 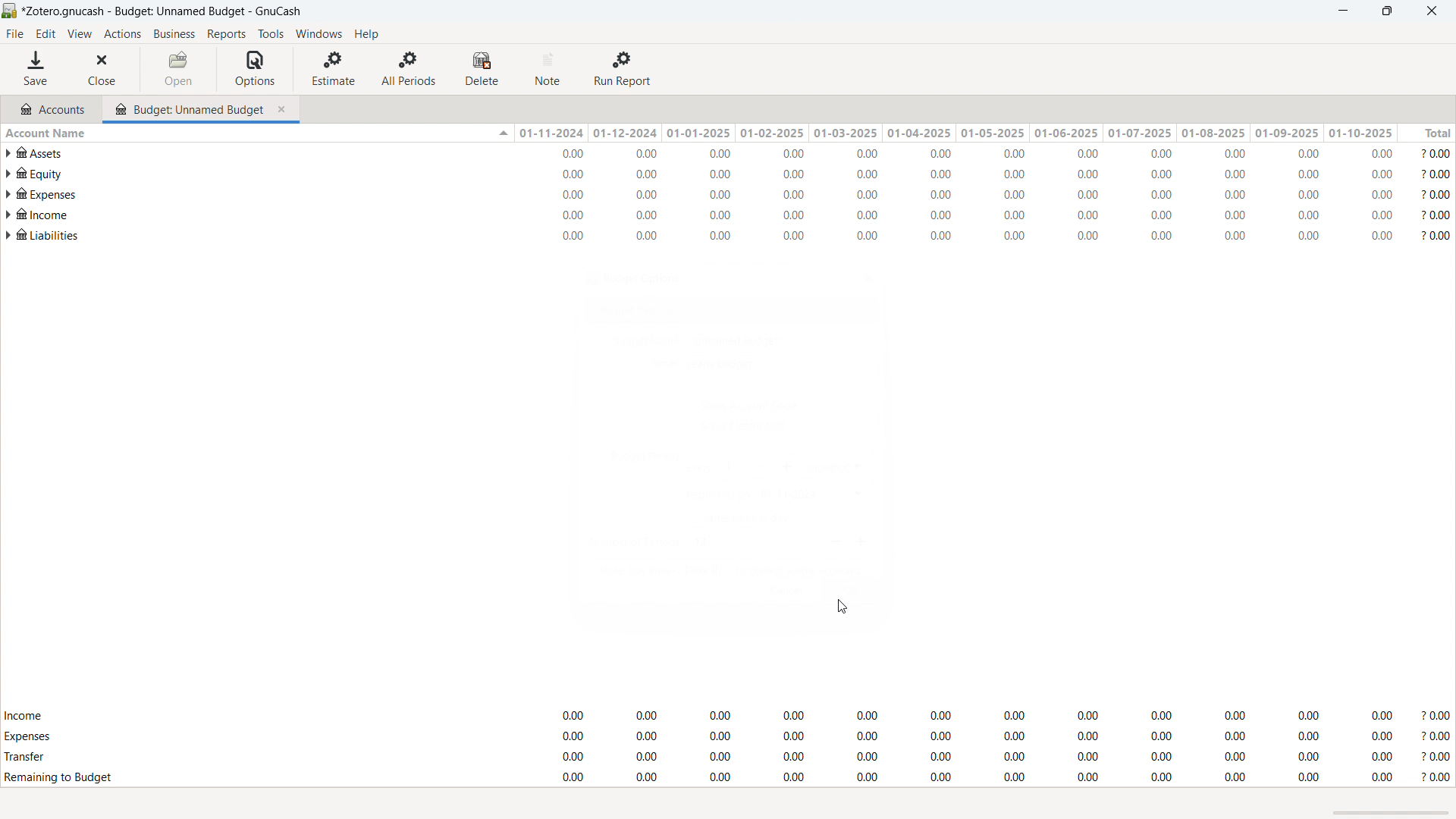 I want to click on account statement for assets, so click(x=736, y=153).